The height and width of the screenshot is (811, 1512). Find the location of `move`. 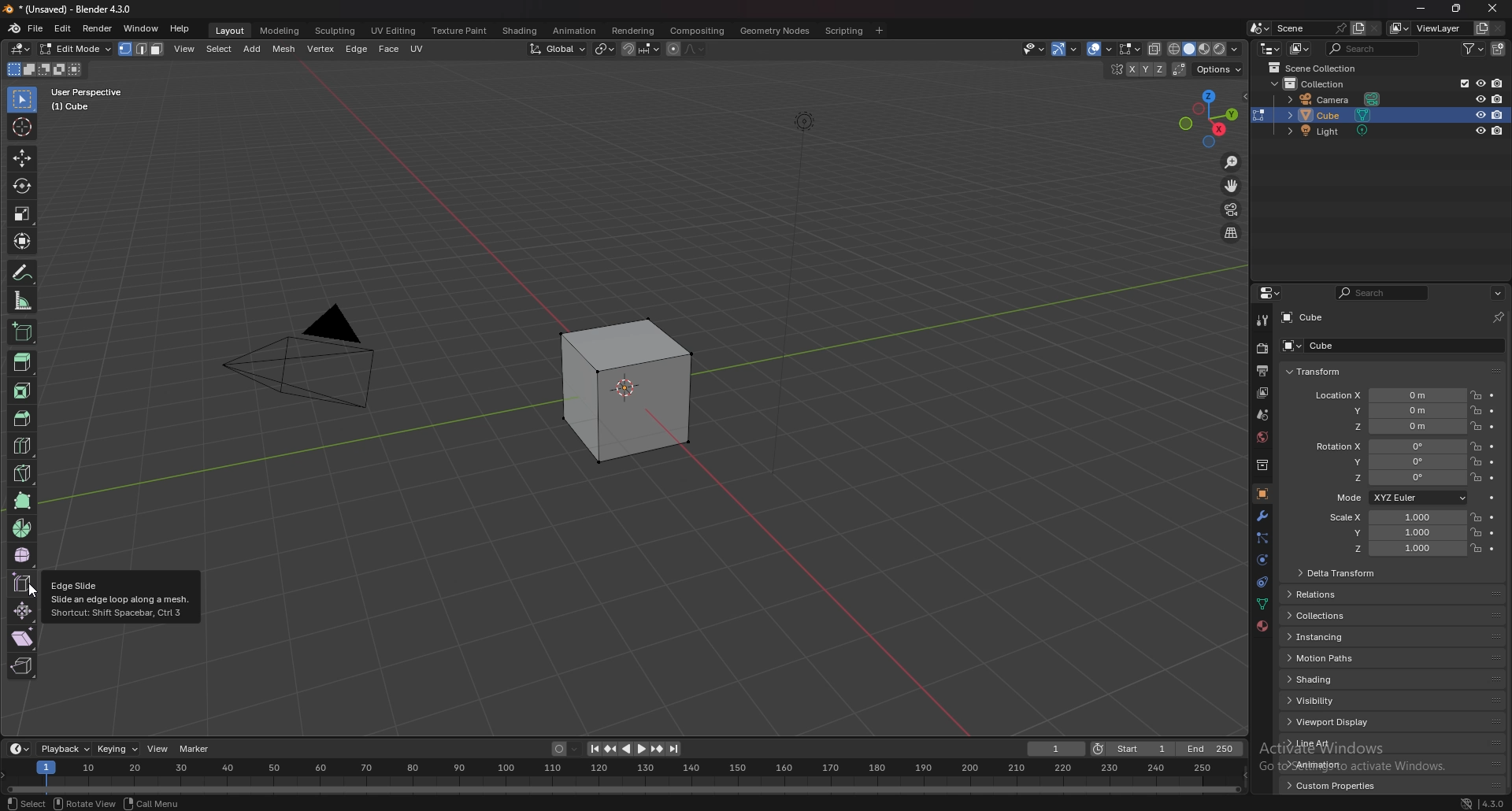

move is located at coordinates (1232, 184).